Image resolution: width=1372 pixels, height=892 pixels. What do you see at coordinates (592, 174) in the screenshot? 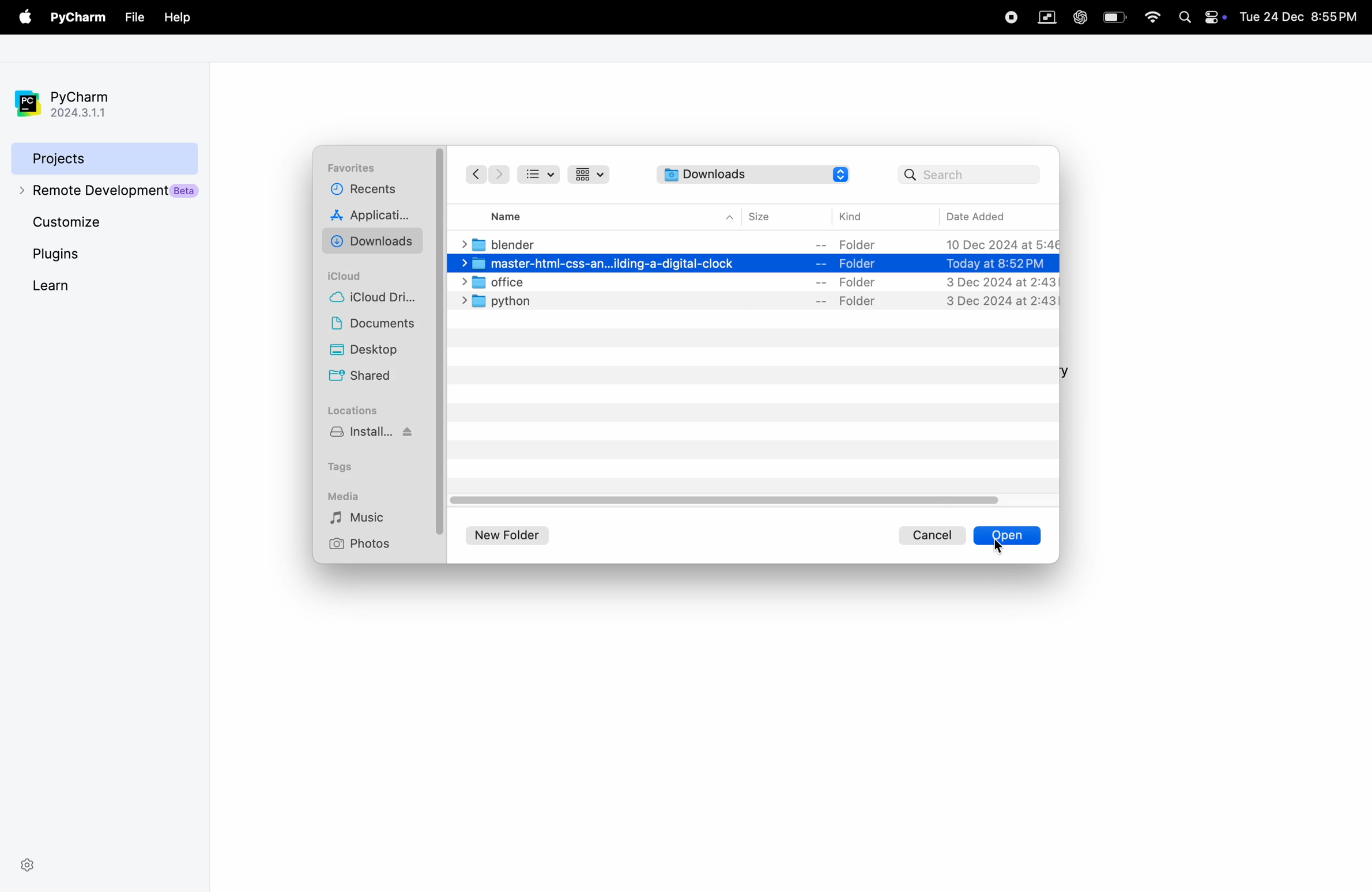
I see `icon view` at bounding box center [592, 174].